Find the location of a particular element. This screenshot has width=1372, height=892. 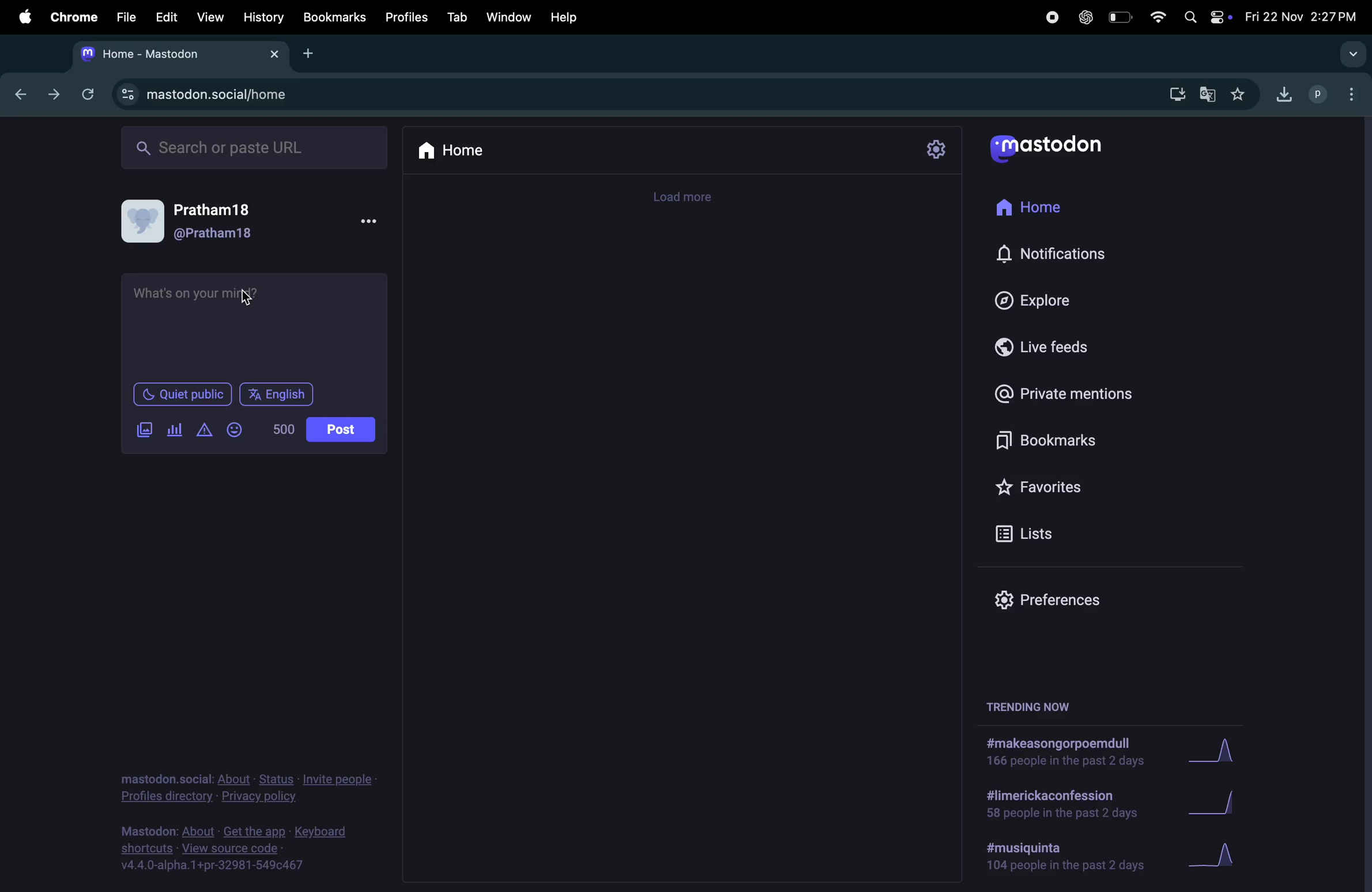

graph is located at coordinates (1225, 751).